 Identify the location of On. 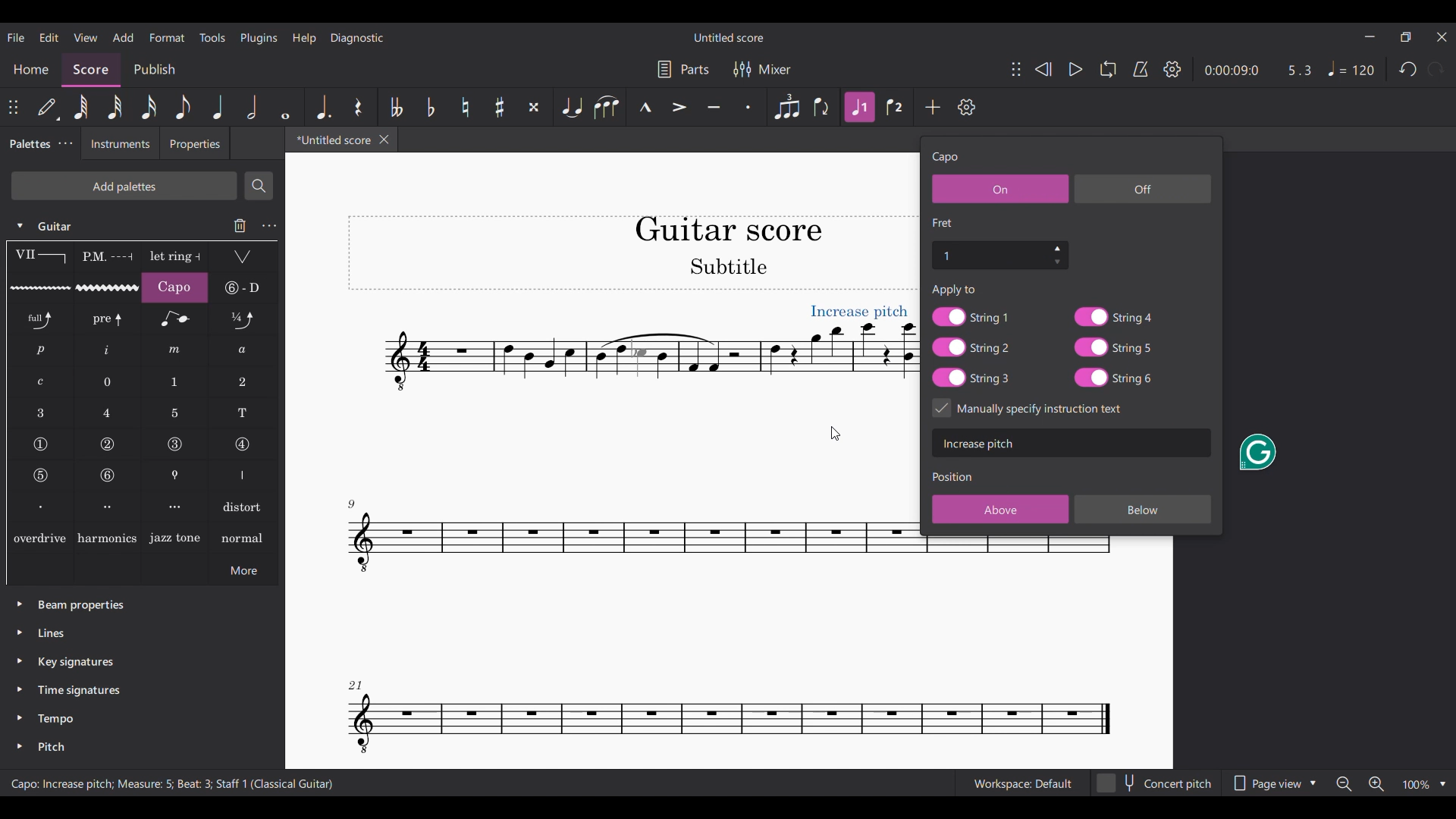
(1001, 189).